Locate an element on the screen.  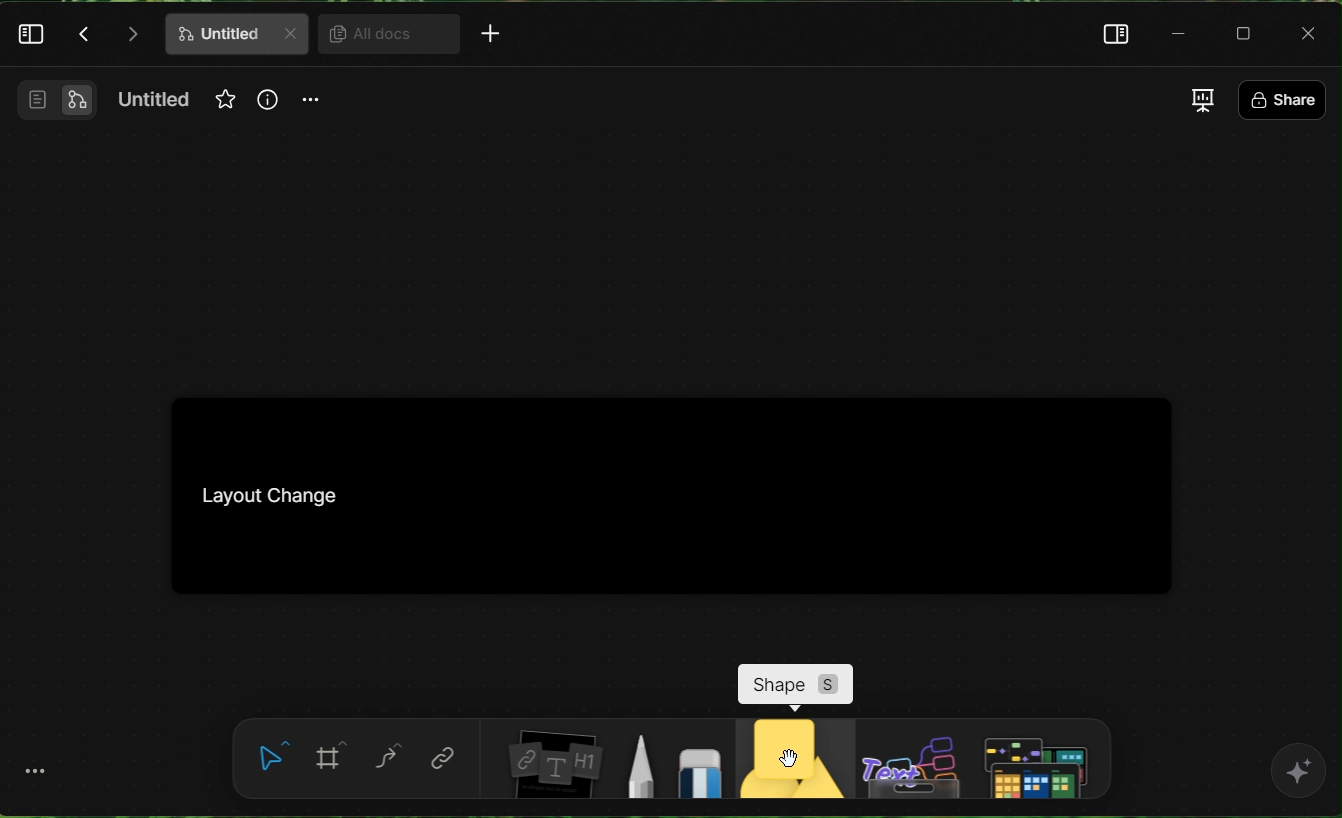
Close is located at coordinates (1311, 32).